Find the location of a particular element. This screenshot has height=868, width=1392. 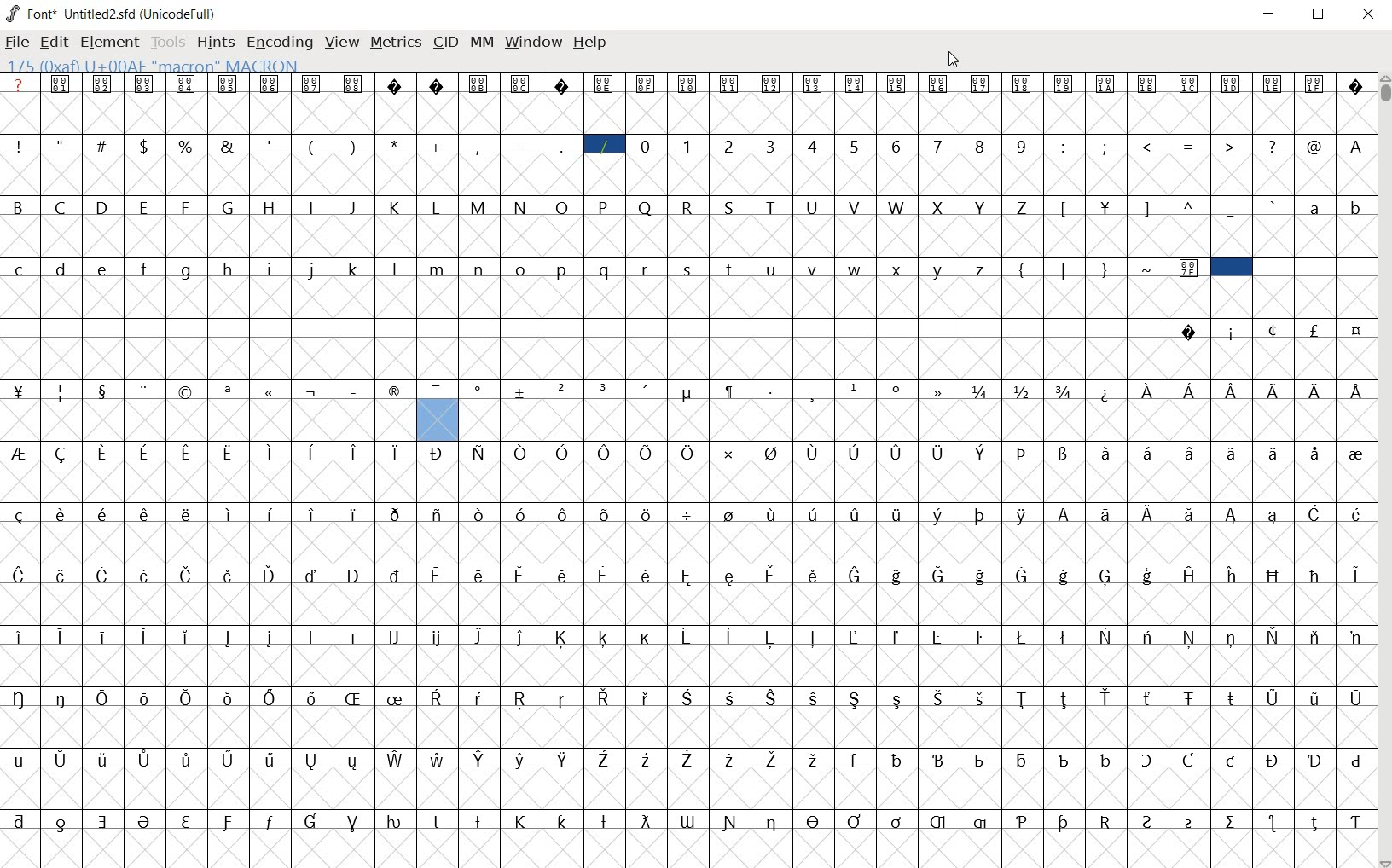

Symbol is located at coordinates (856, 821).